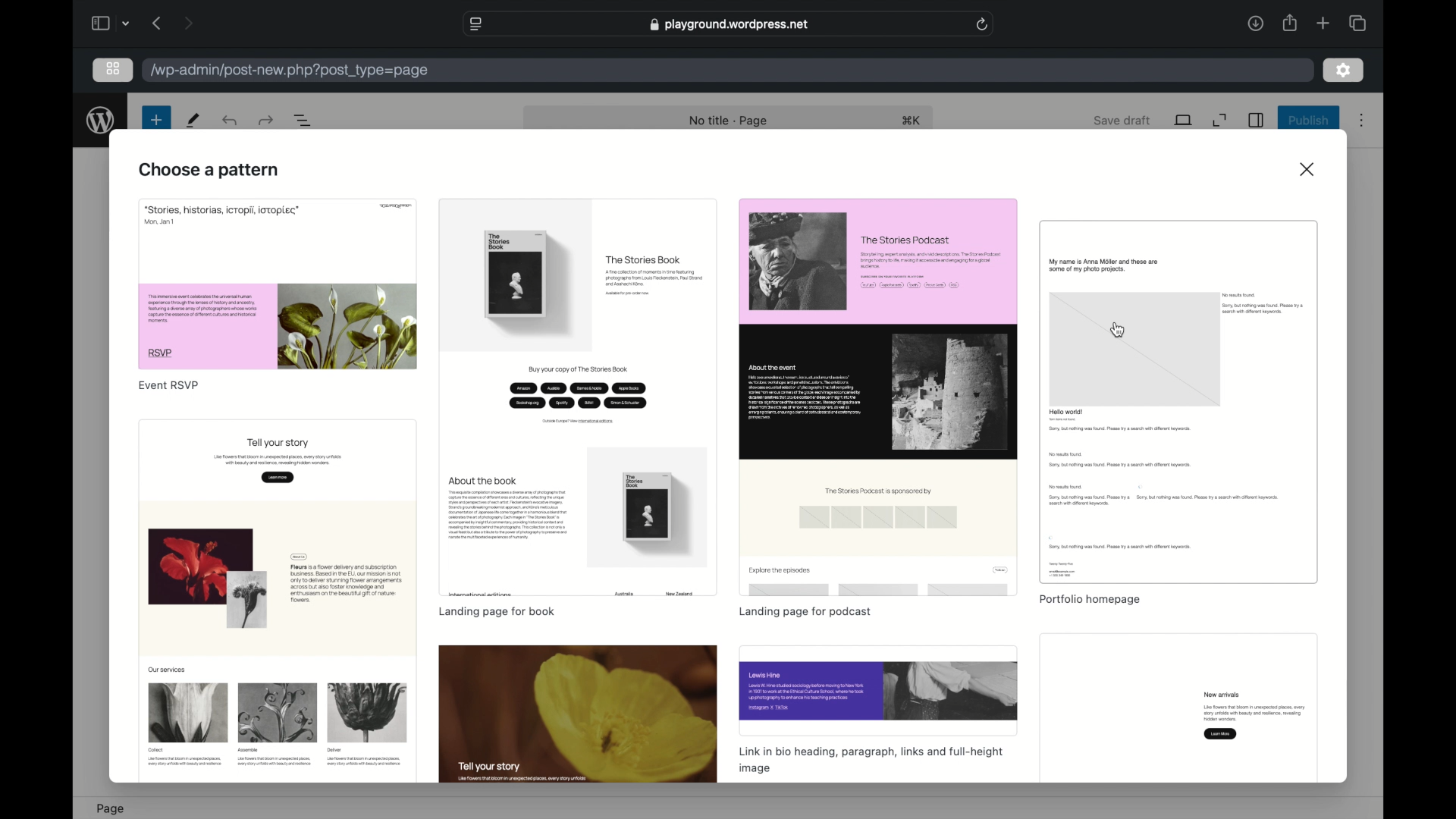 The height and width of the screenshot is (819, 1456). What do you see at coordinates (877, 395) in the screenshot?
I see `preview` at bounding box center [877, 395].